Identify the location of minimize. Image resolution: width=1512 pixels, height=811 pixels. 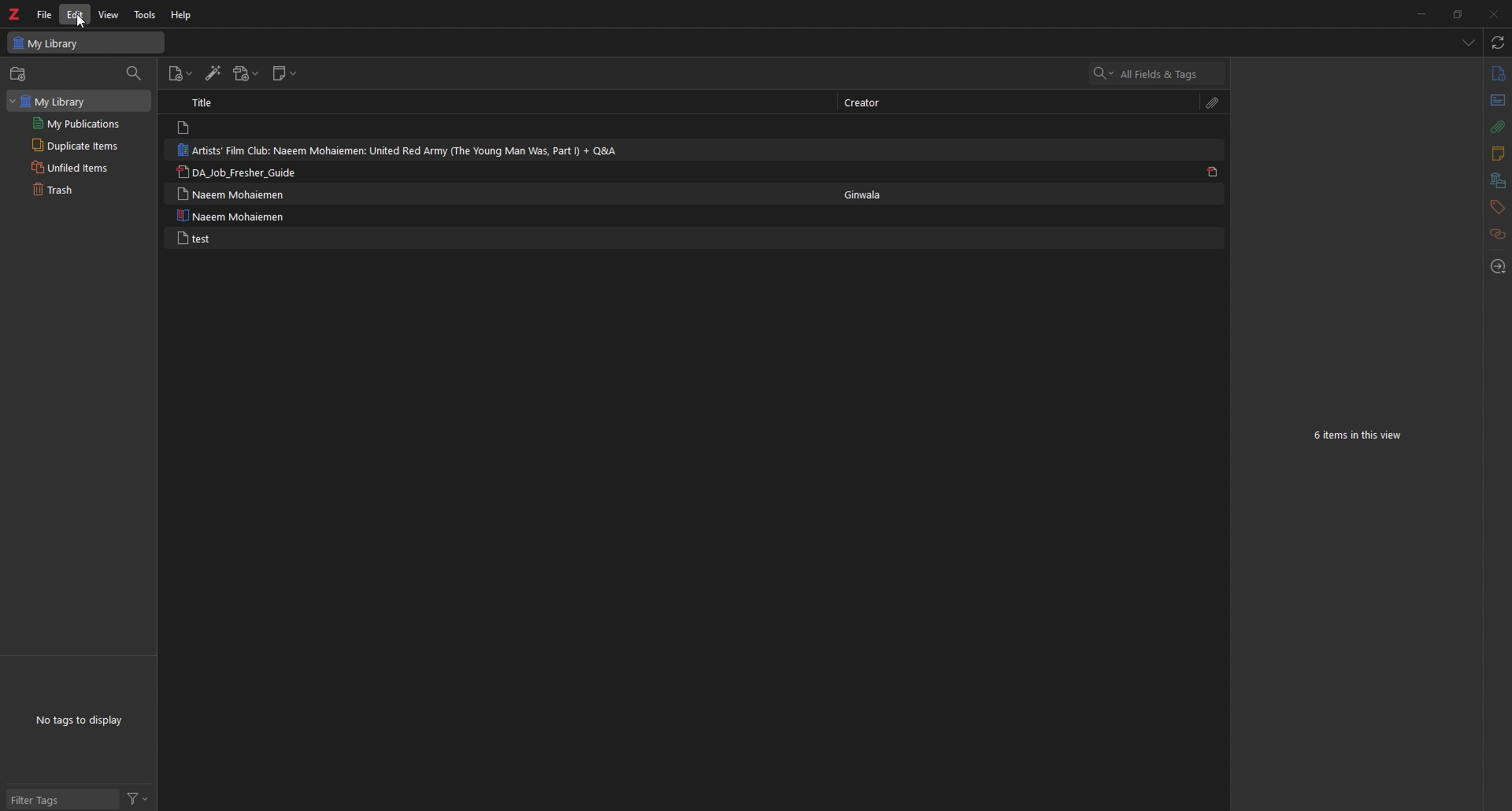
(1420, 13).